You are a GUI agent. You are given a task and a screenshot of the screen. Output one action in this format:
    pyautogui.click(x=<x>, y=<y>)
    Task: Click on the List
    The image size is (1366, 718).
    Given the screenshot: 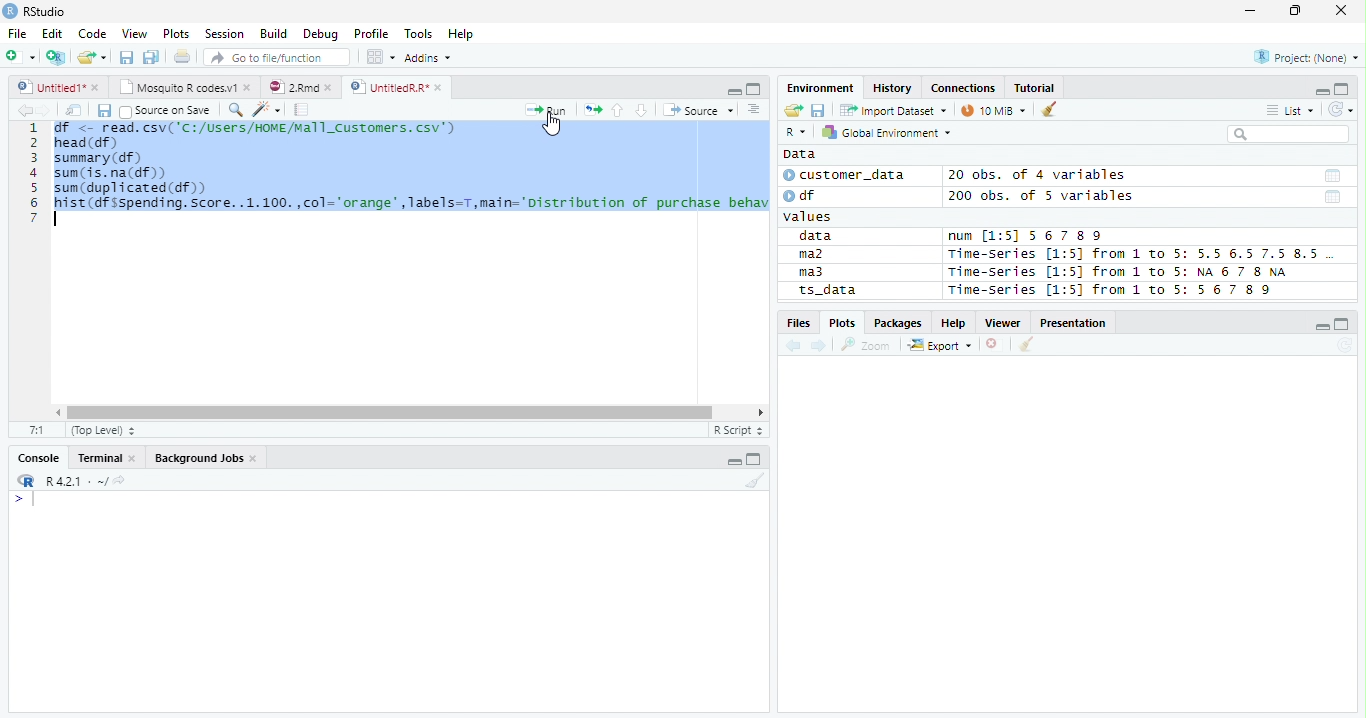 What is the action you would take?
    pyautogui.click(x=1289, y=111)
    